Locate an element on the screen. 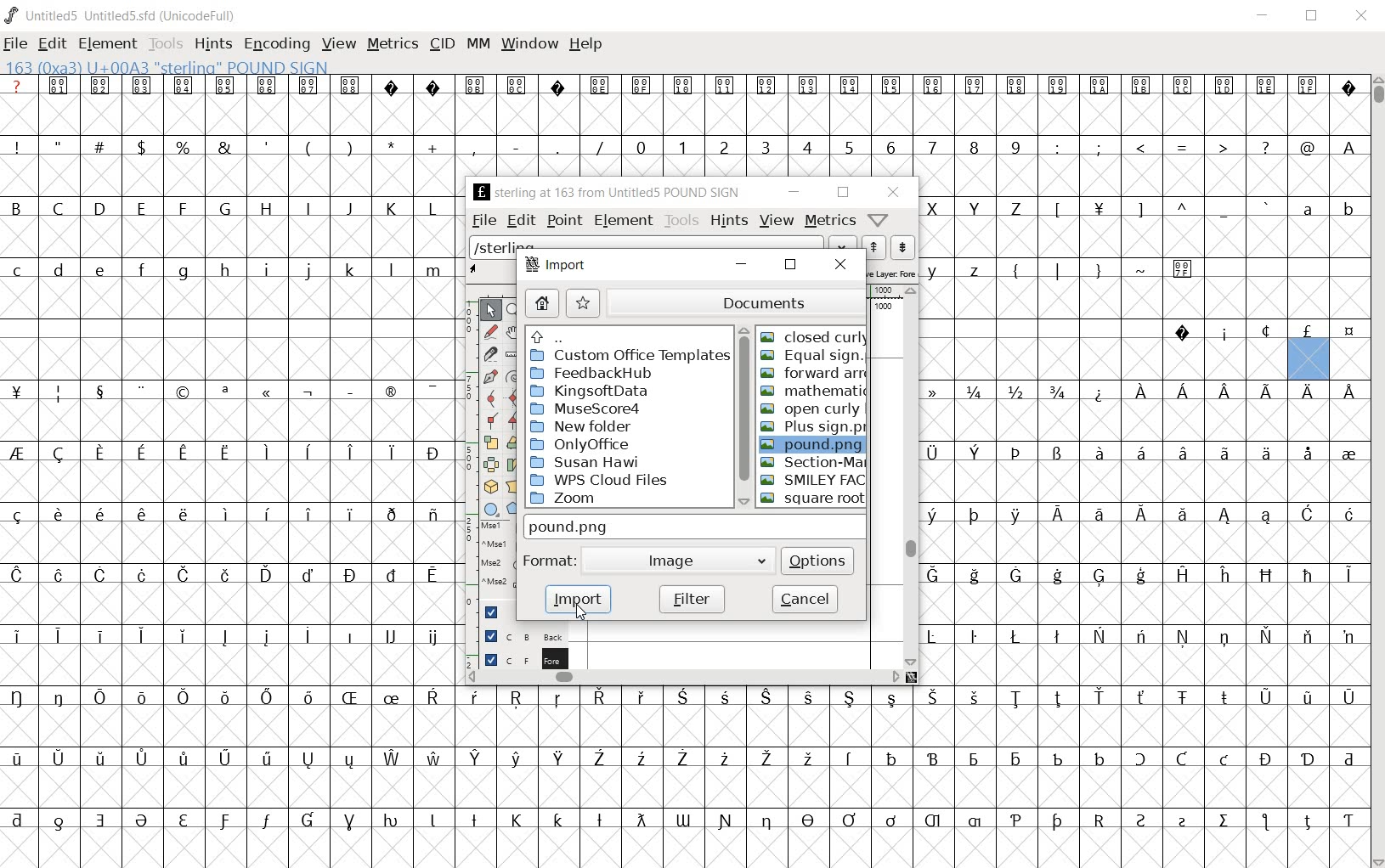 This screenshot has width=1385, height=868. Symbol is located at coordinates (102, 86).